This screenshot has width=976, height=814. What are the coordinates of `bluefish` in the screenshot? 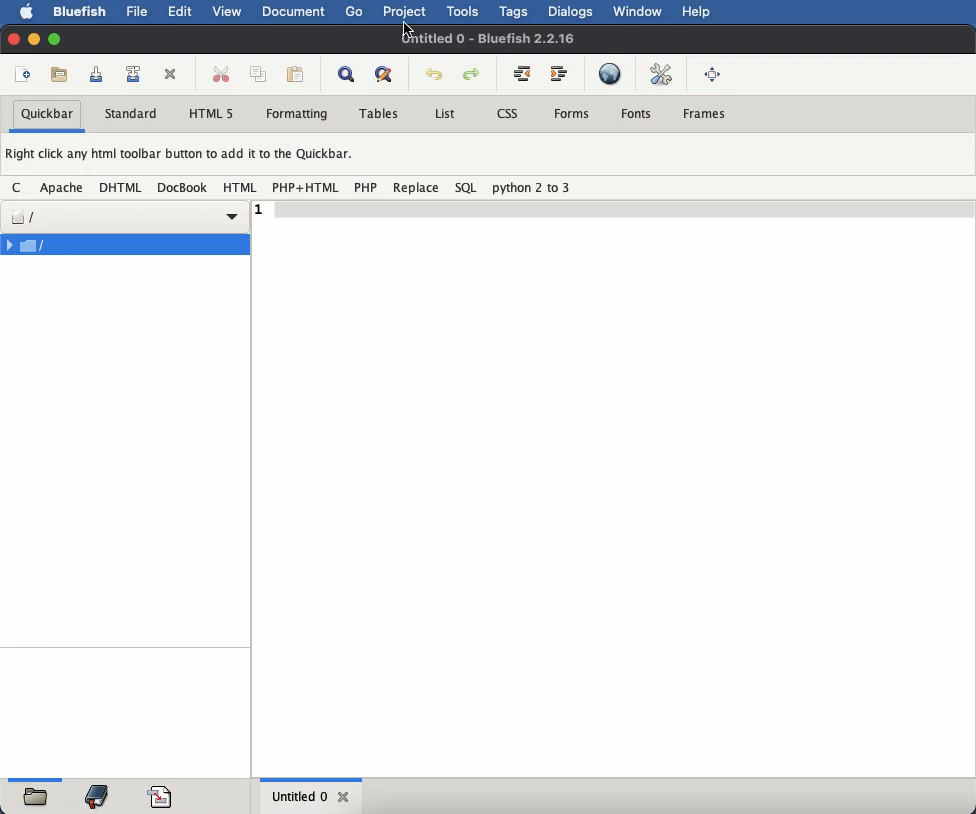 It's located at (79, 9).